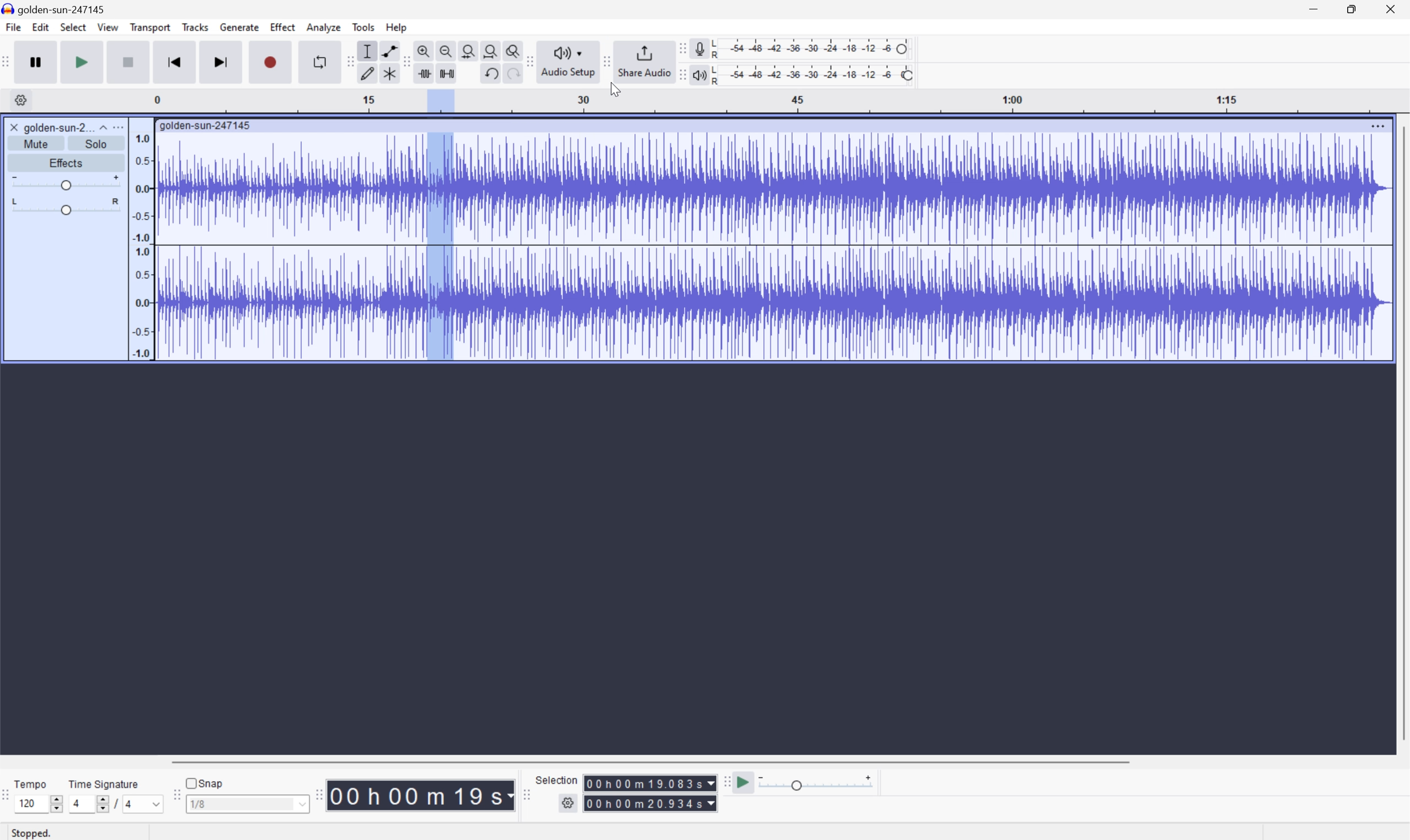 This screenshot has height=840, width=1410. I want to click on Recording level: 62%, so click(814, 48).